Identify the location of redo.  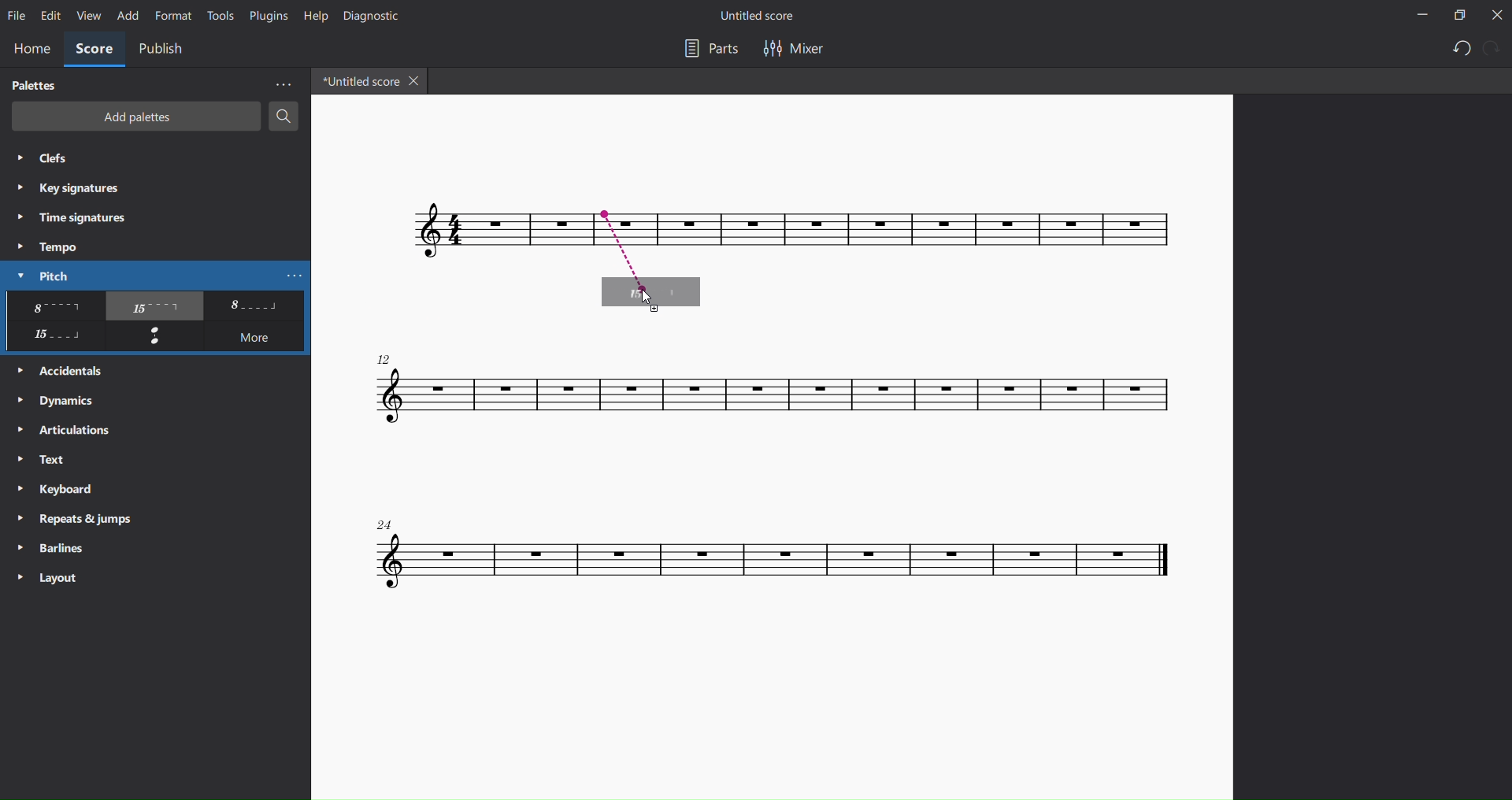
(1494, 47).